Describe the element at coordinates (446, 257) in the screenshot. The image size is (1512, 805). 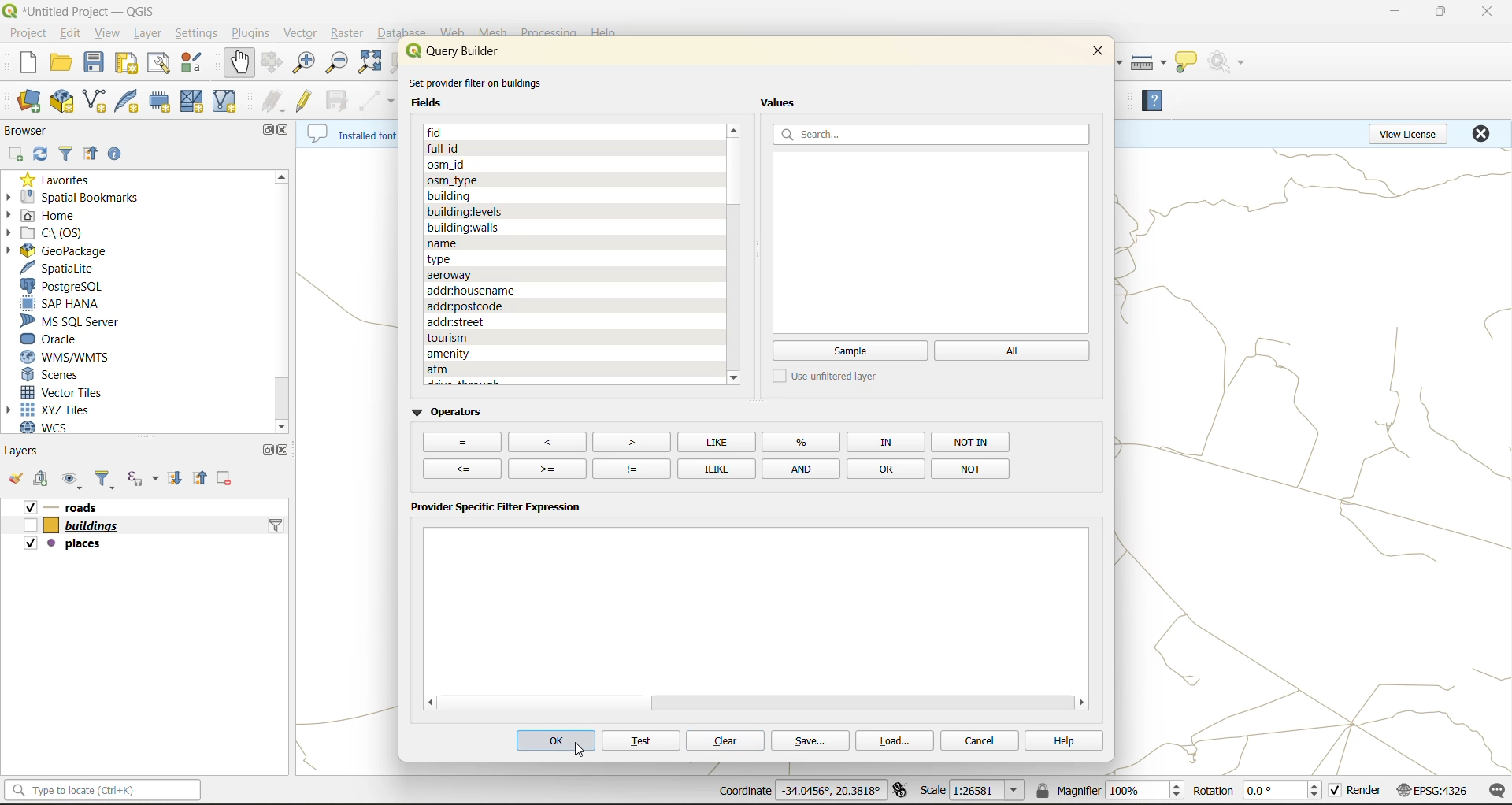
I see `fields` at that location.